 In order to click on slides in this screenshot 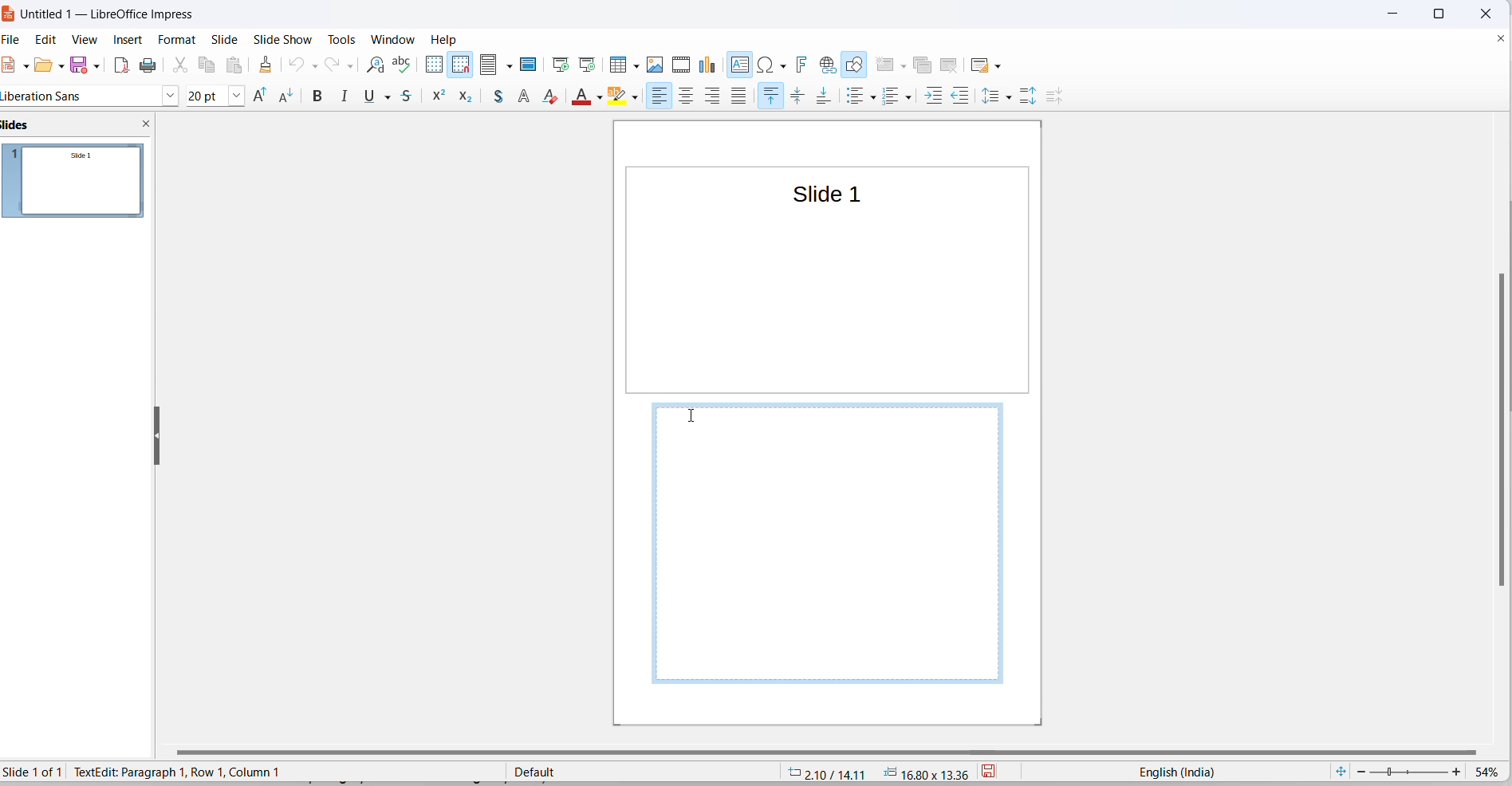, I will do `click(79, 185)`.